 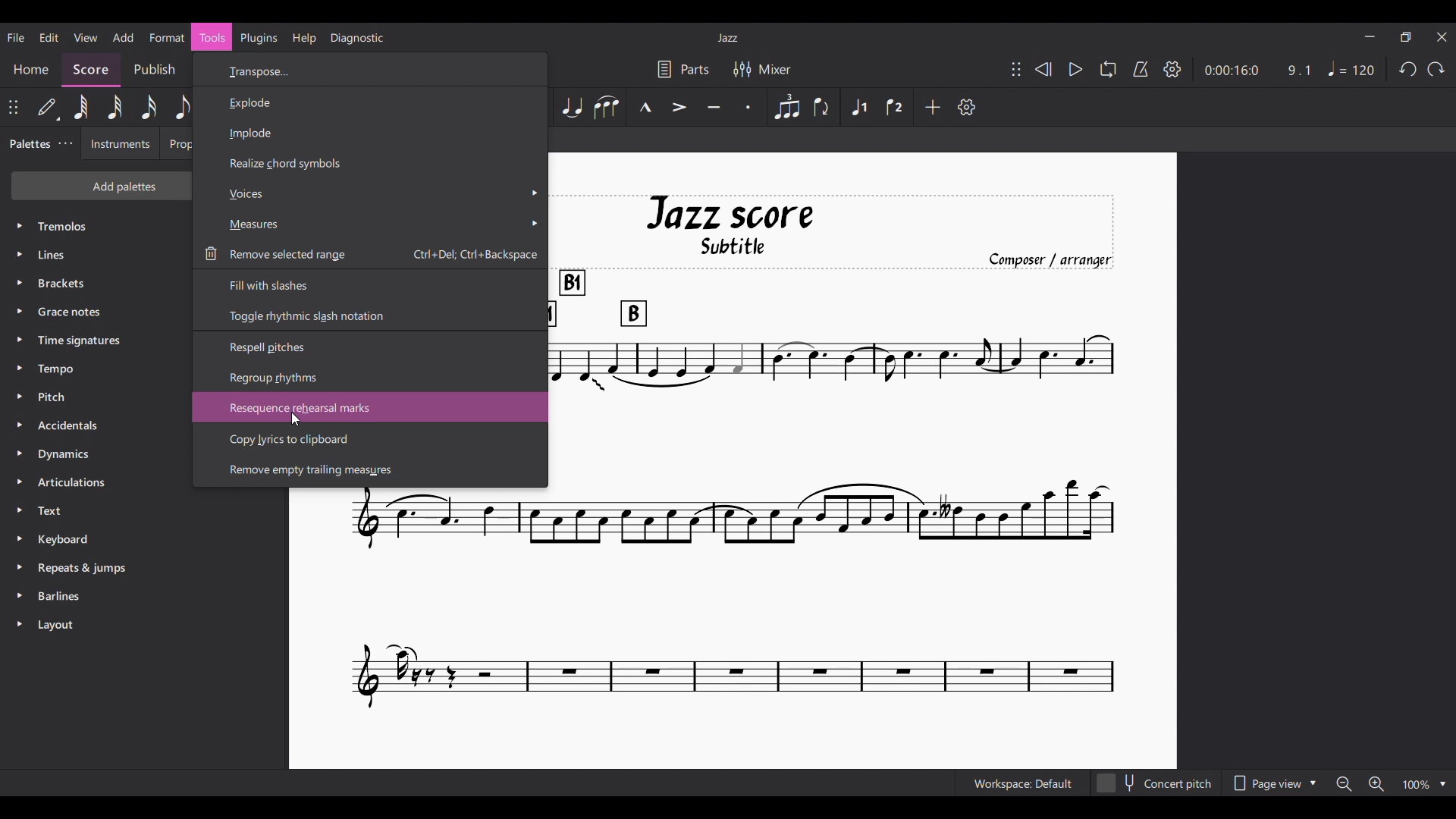 What do you see at coordinates (372, 71) in the screenshot?
I see `Transpose` at bounding box center [372, 71].